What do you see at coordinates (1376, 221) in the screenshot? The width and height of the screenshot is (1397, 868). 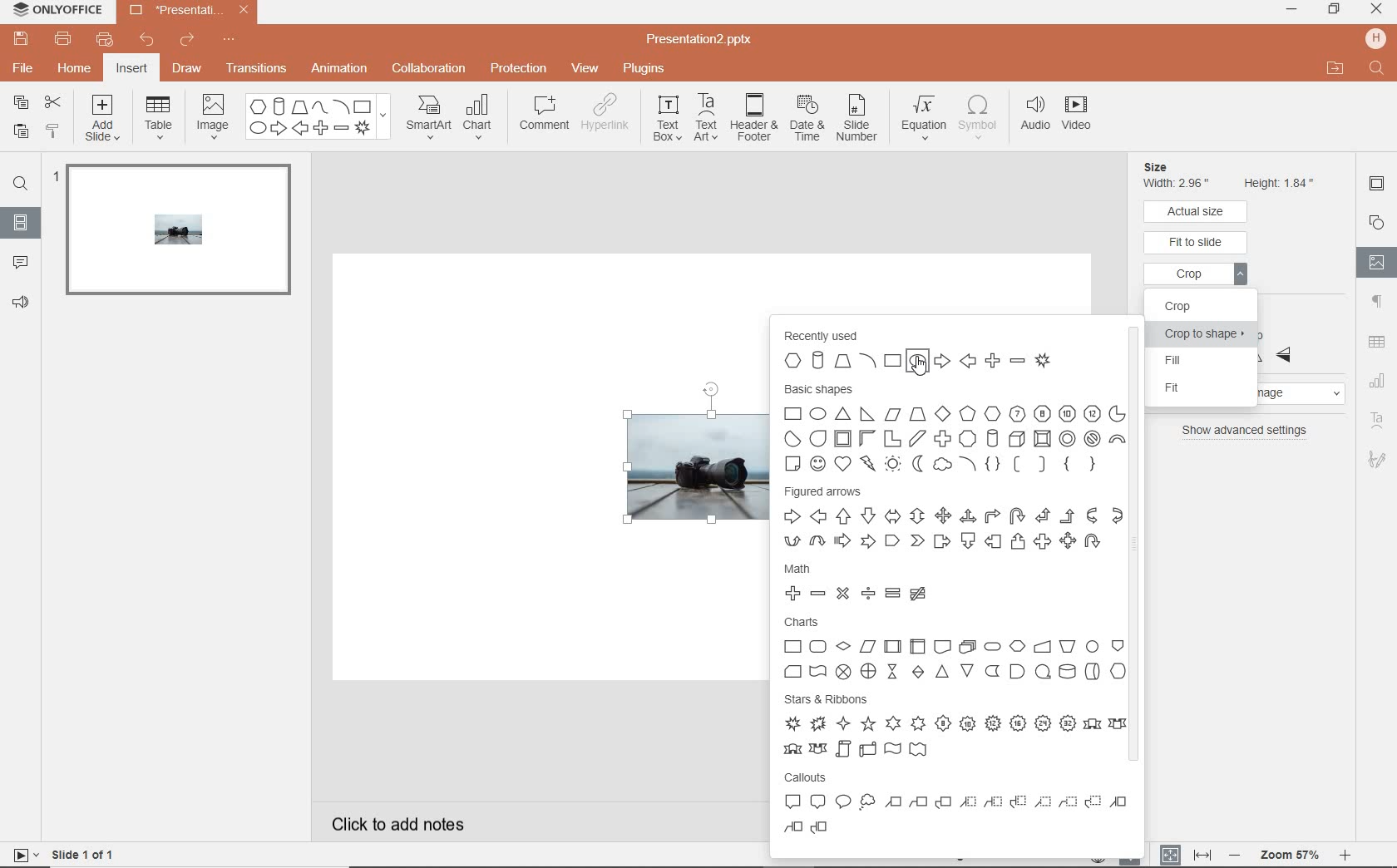 I see `shapes` at bounding box center [1376, 221].